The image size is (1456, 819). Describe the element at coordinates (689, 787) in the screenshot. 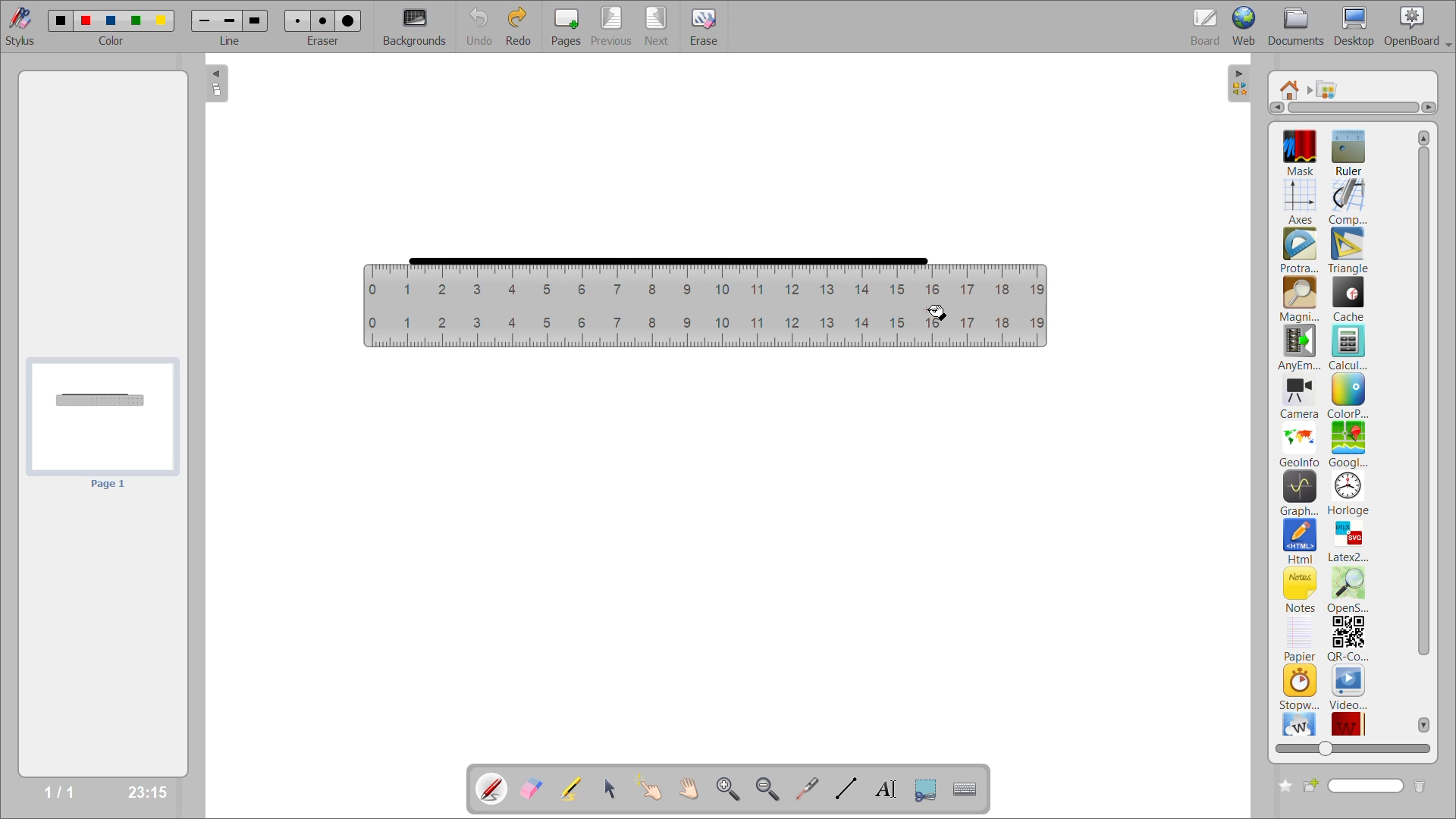

I see `scroll page` at that location.